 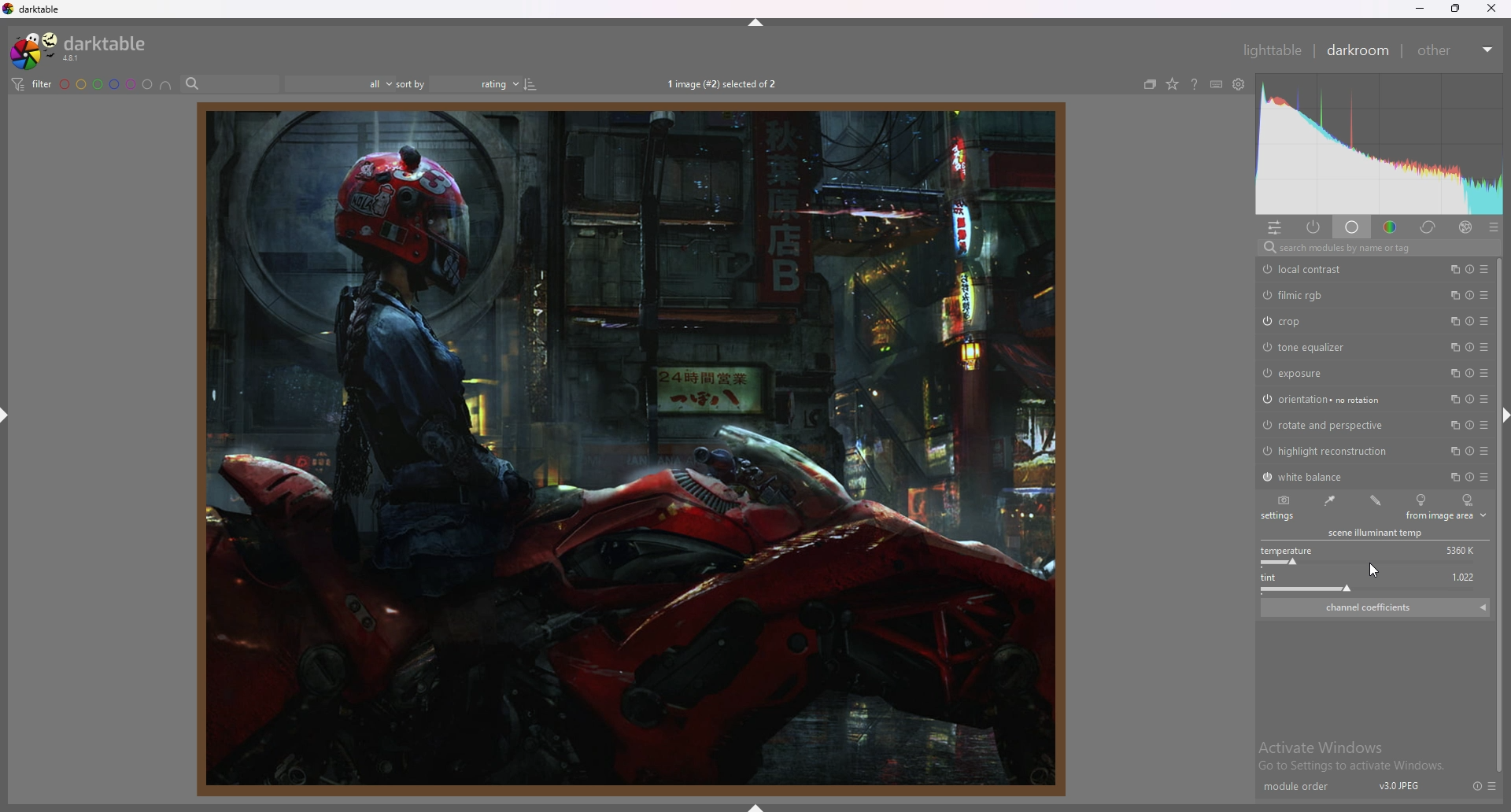 I want to click on filmic rgb, so click(x=1313, y=296).